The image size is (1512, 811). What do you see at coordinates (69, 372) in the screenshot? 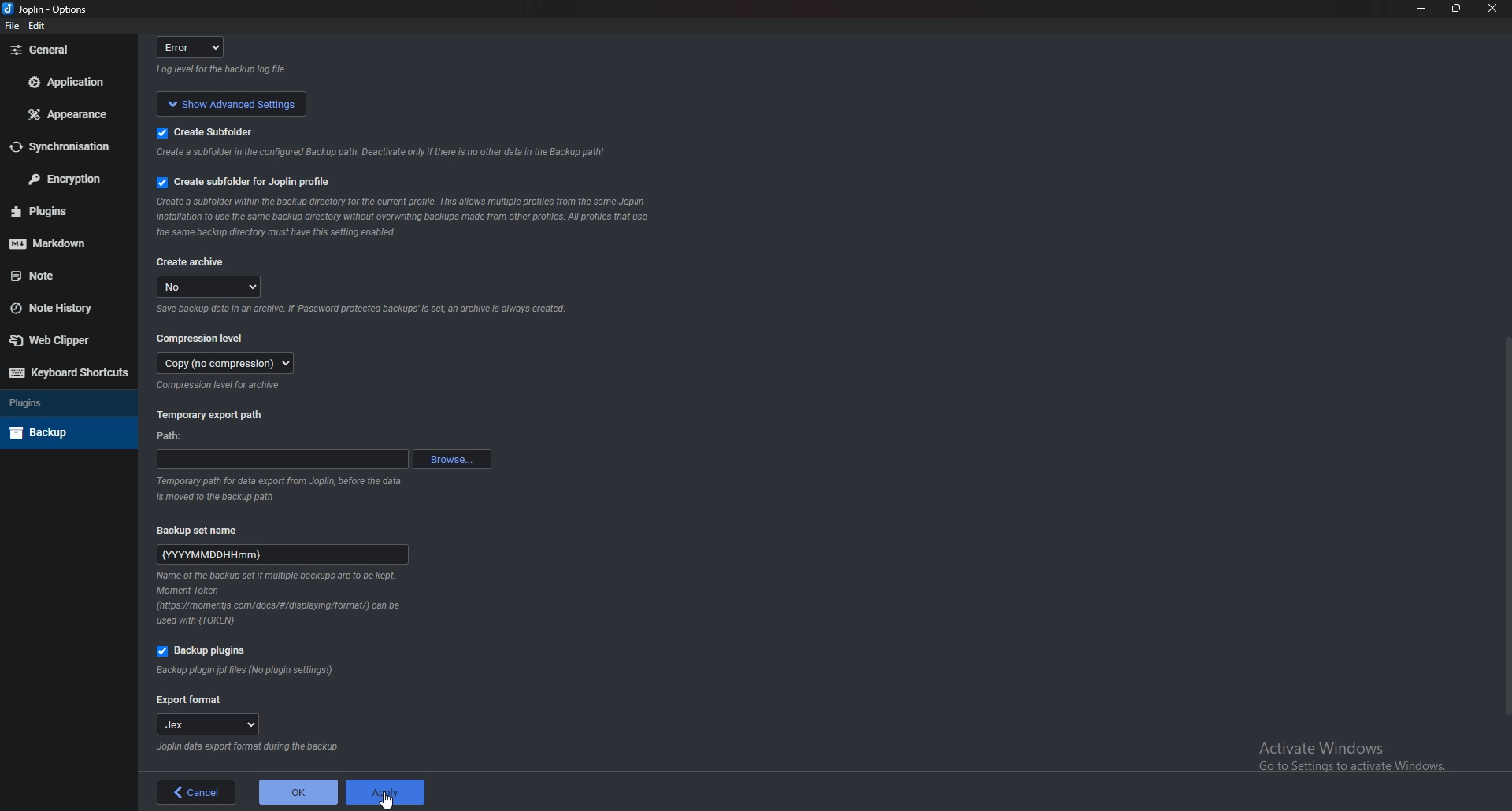
I see `Keyboard shortcuts` at bounding box center [69, 372].